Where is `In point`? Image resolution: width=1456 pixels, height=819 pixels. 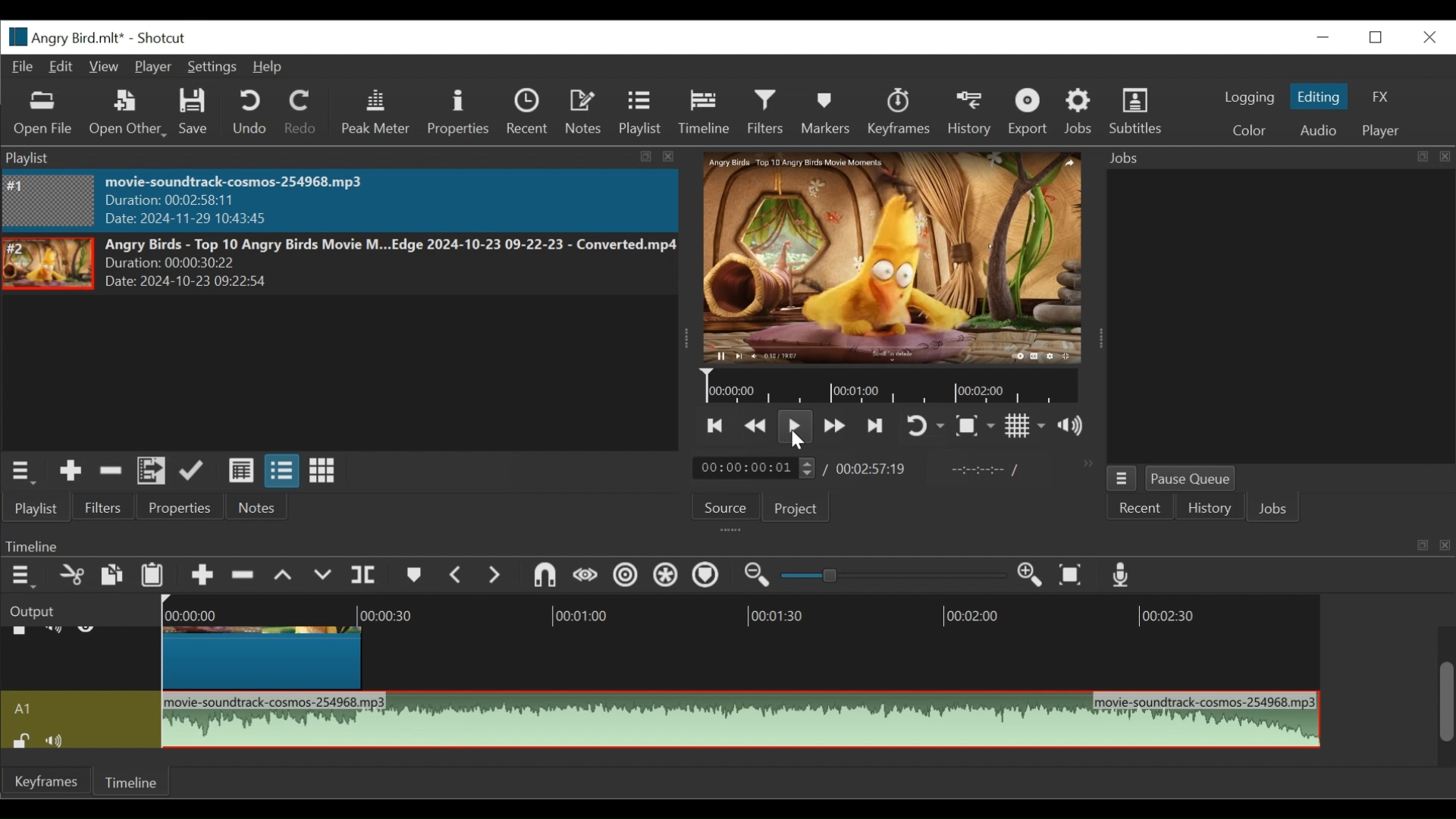 In point is located at coordinates (981, 469).